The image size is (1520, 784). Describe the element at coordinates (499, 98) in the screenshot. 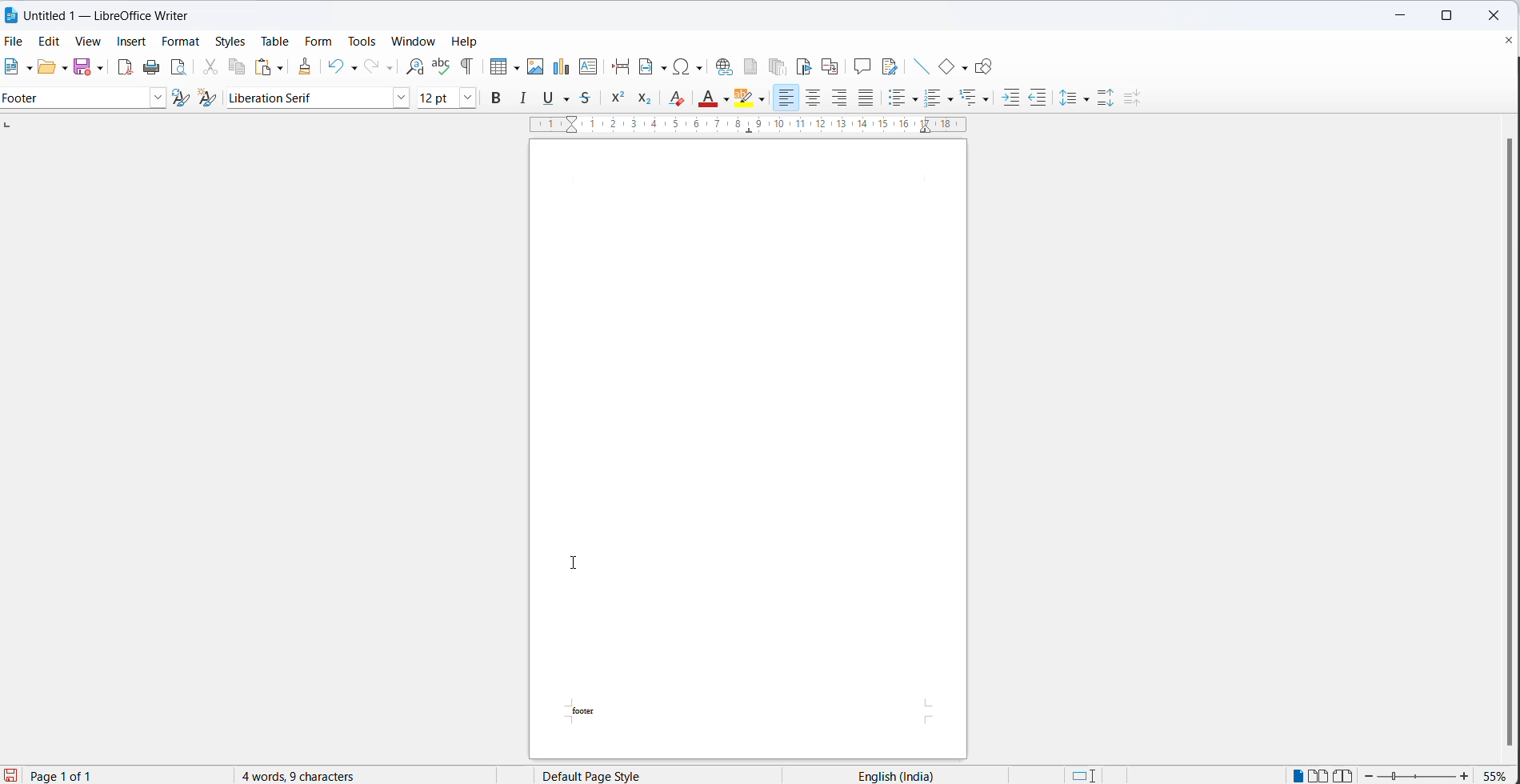

I see `bold` at that location.